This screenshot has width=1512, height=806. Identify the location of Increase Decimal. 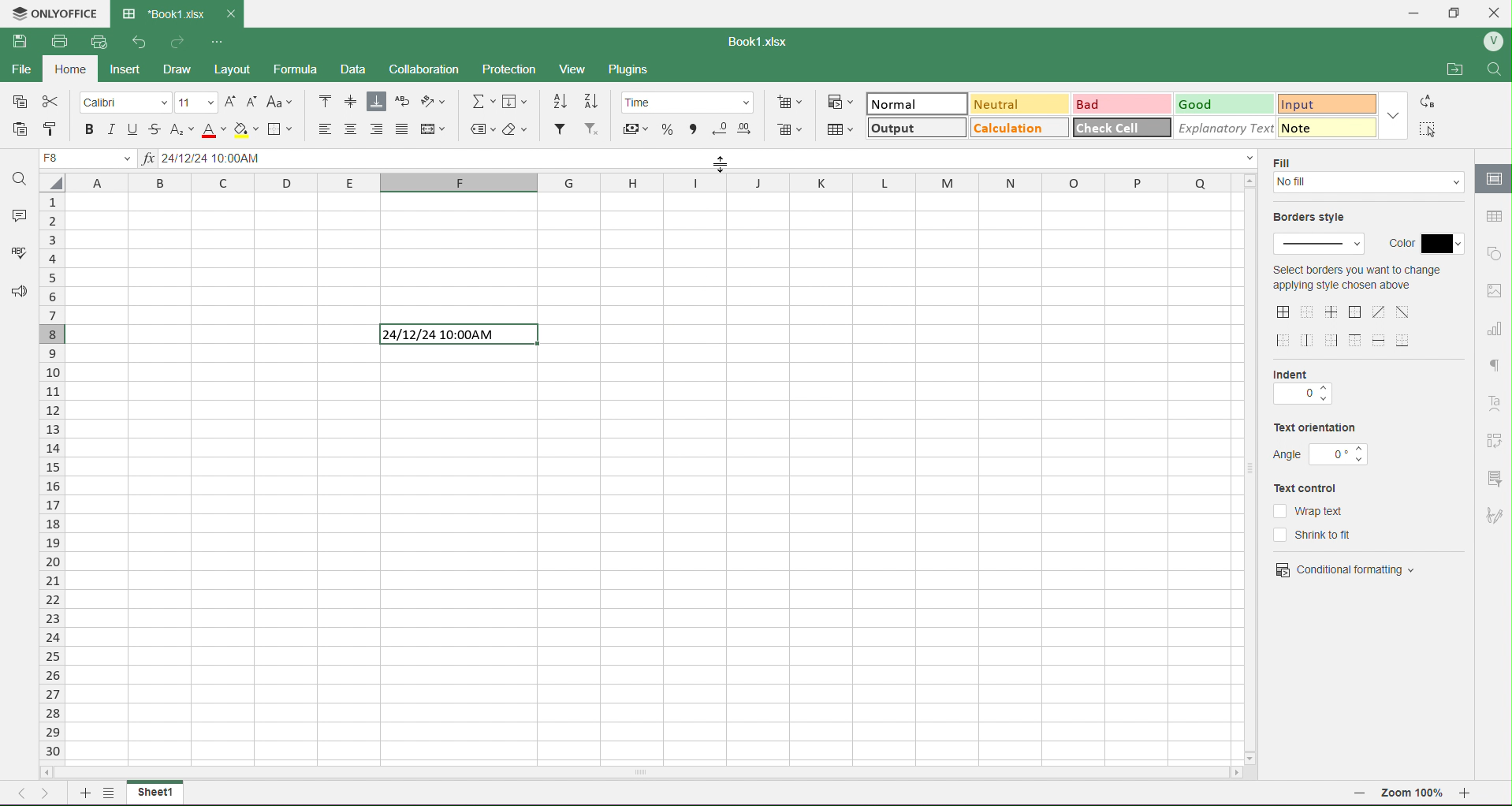
(747, 126).